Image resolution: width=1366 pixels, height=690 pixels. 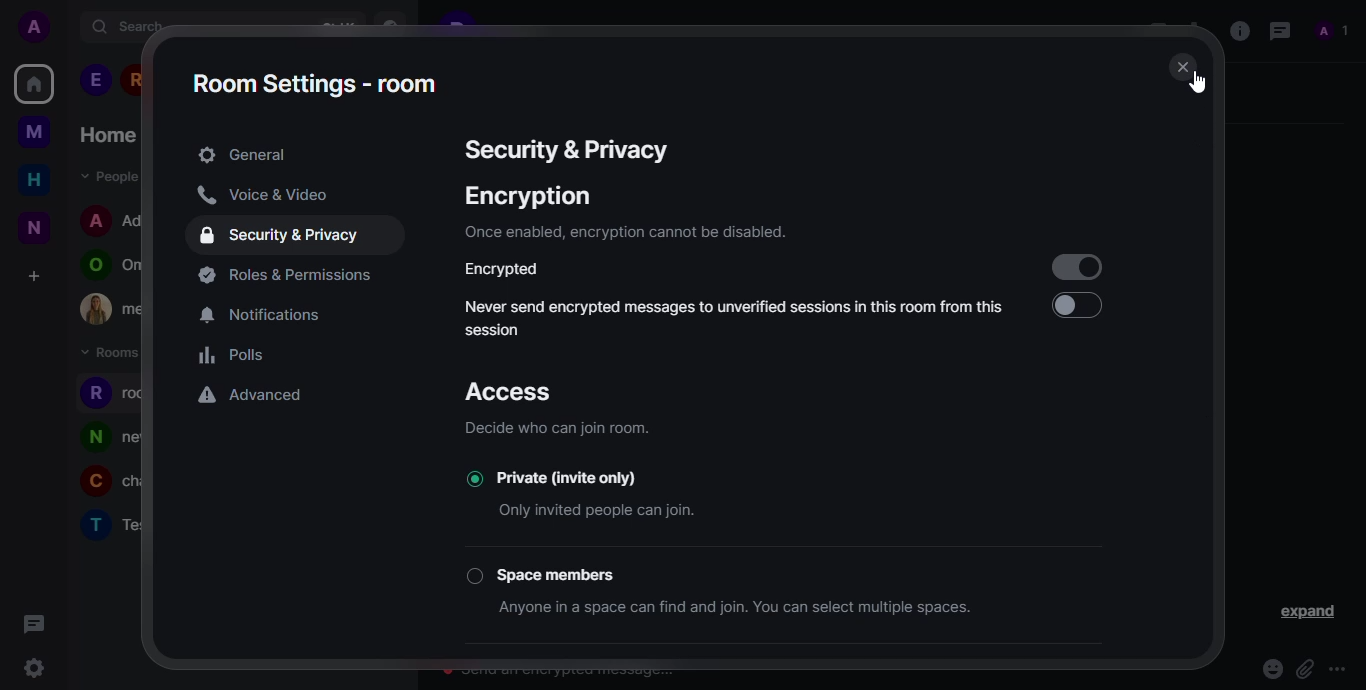 What do you see at coordinates (474, 576) in the screenshot?
I see `select` at bounding box center [474, 576].